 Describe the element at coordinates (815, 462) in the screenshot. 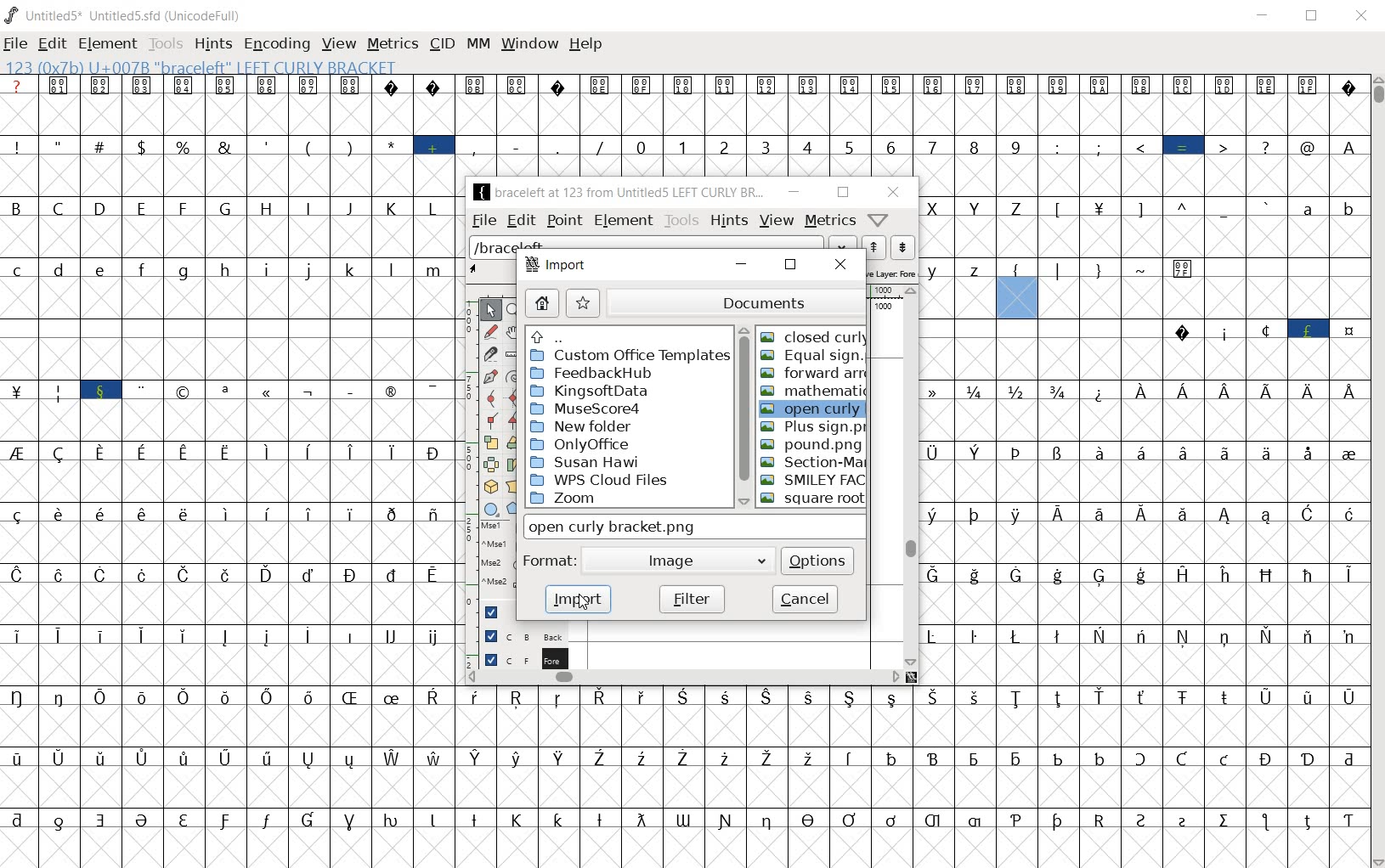

I see `Section-Mark` at that location.